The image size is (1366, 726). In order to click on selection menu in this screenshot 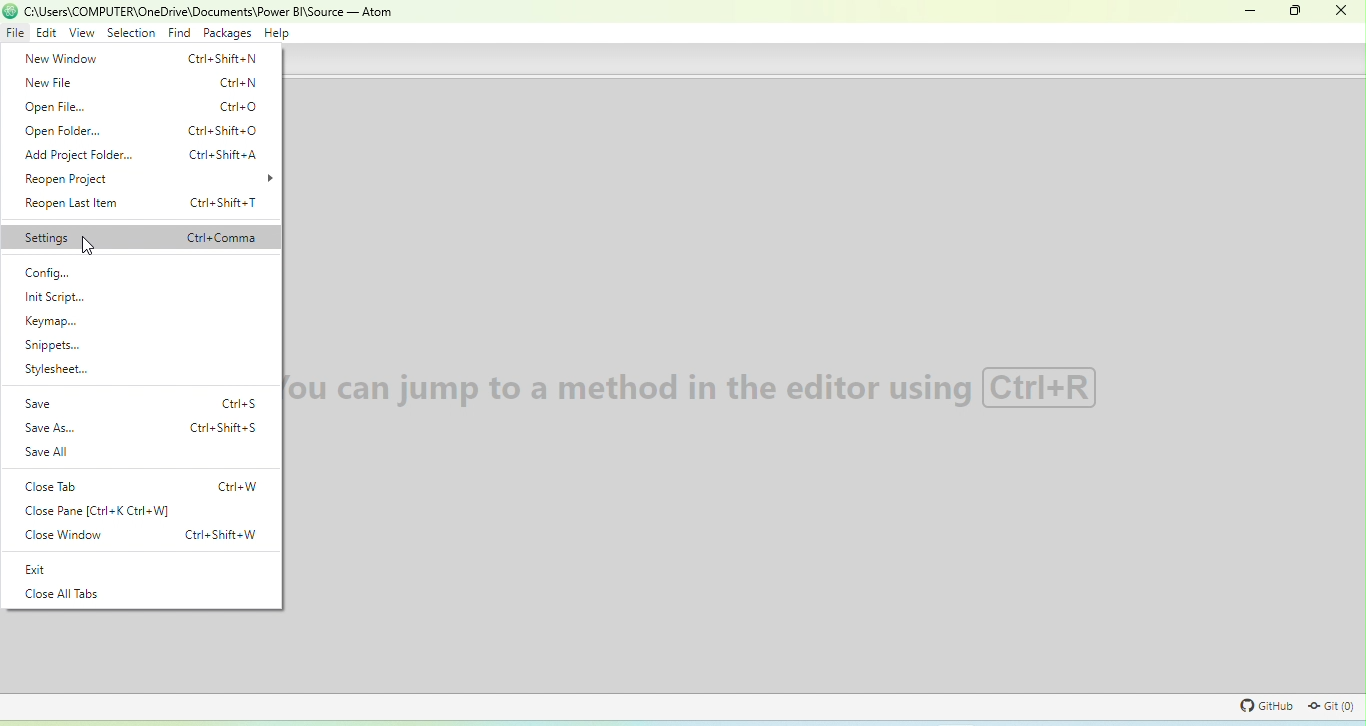, I will do `click(132, 33)`.